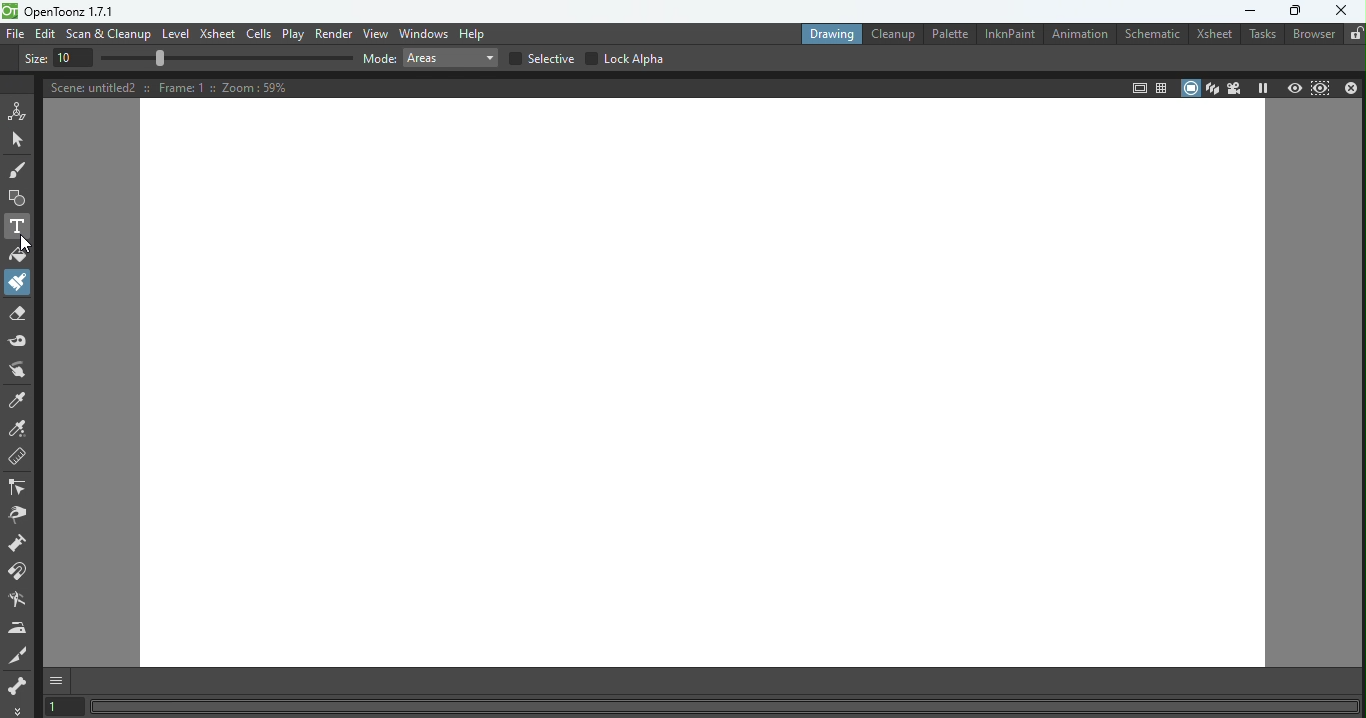 The image size is (1366, 718). What do you see at coordinates (945, 34) in the screenshot?
I see `Palette` at bounding box center [945, 34].